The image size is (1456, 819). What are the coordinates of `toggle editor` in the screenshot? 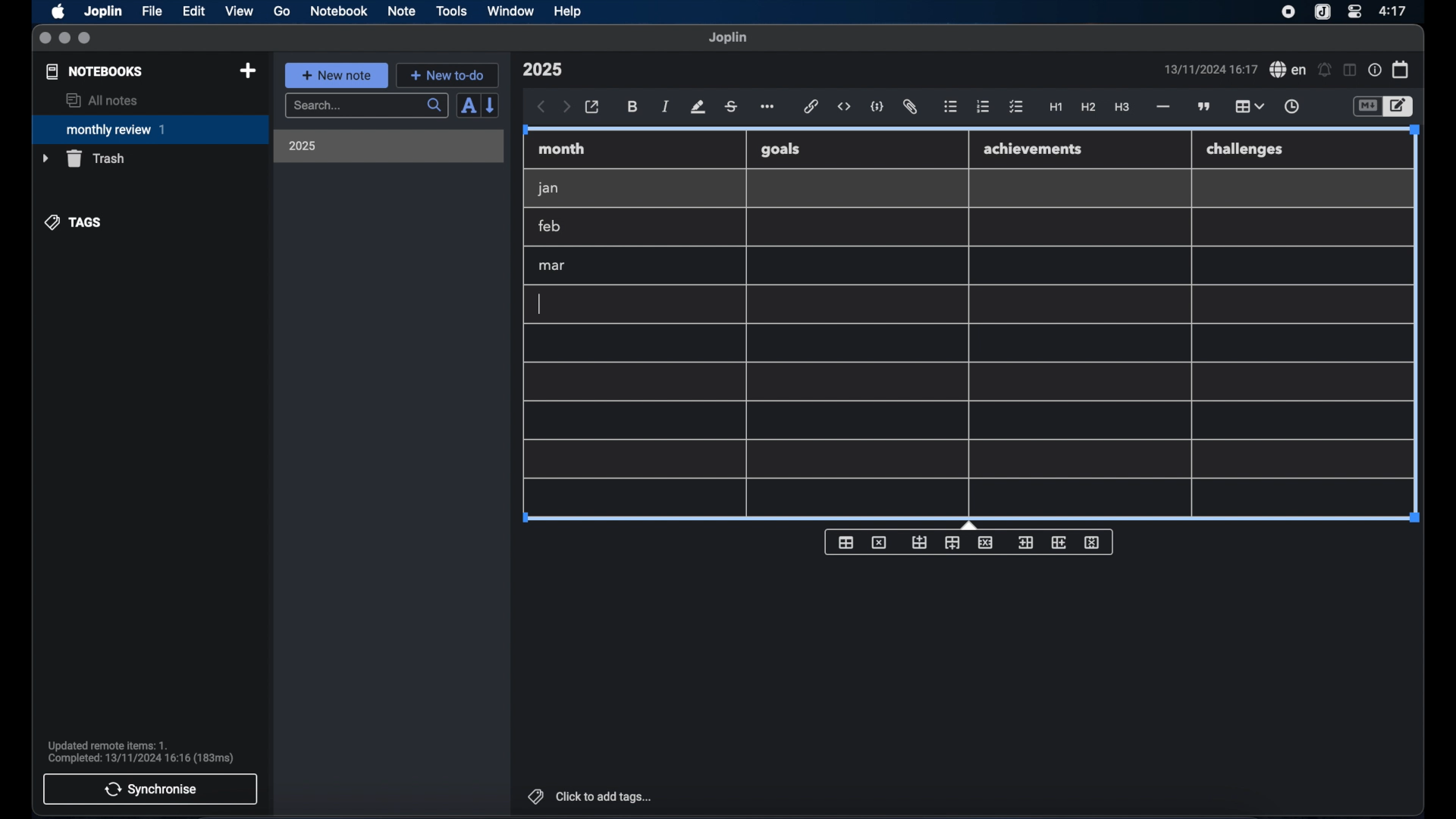 It's located at (1367, 107).